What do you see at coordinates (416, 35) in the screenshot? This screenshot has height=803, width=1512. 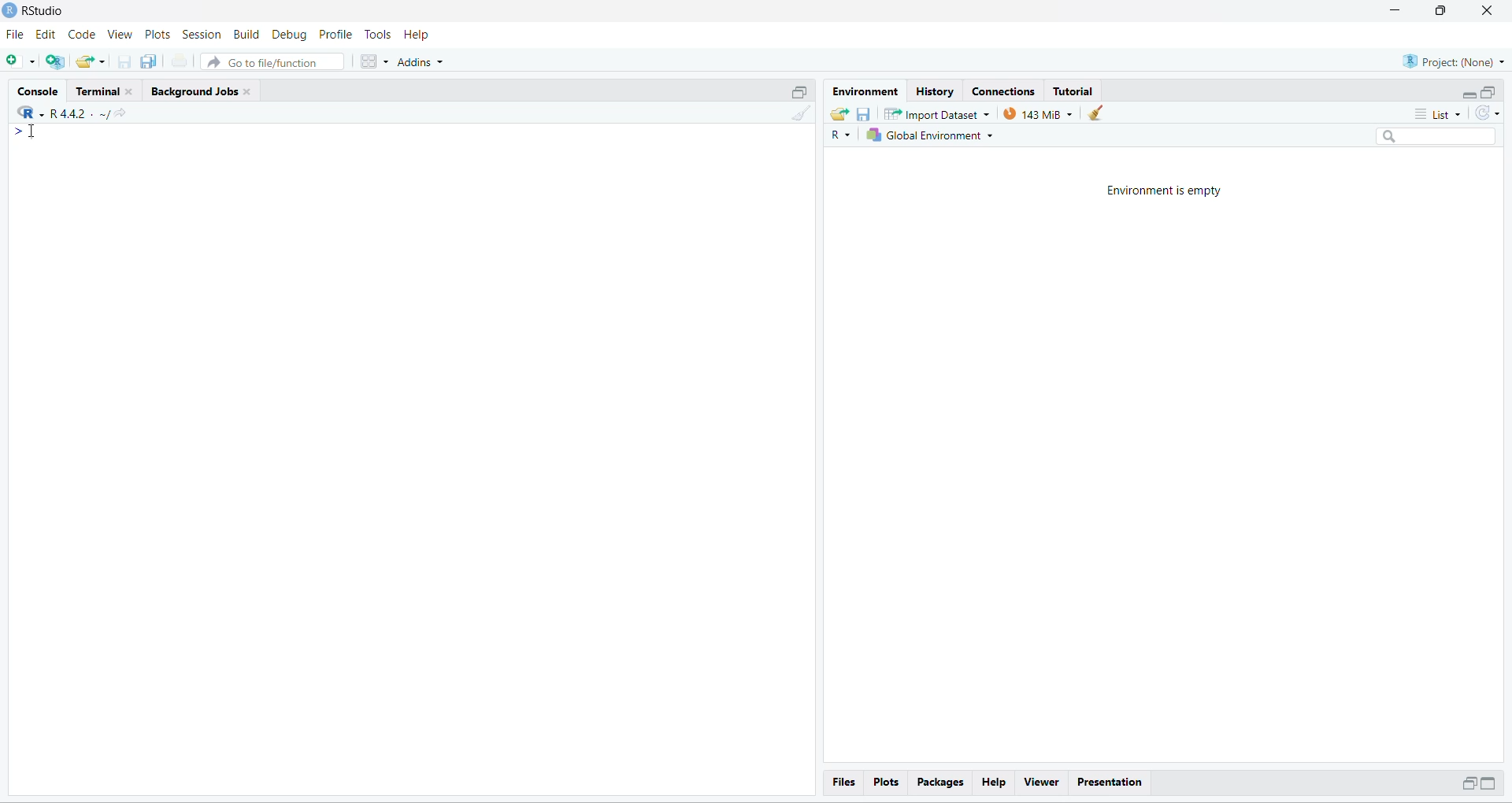 I see `help` at bounding box center [416, 35].